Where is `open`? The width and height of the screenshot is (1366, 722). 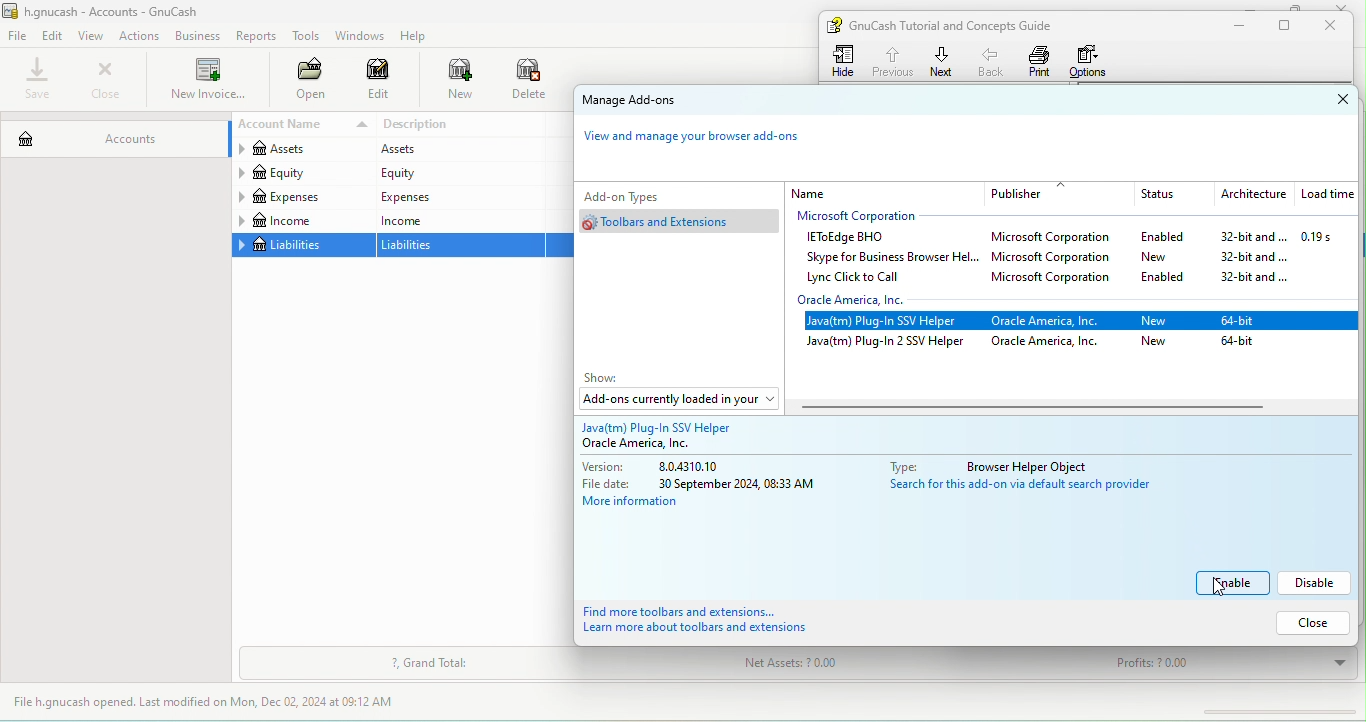
open is located at coordinates (305, 81).